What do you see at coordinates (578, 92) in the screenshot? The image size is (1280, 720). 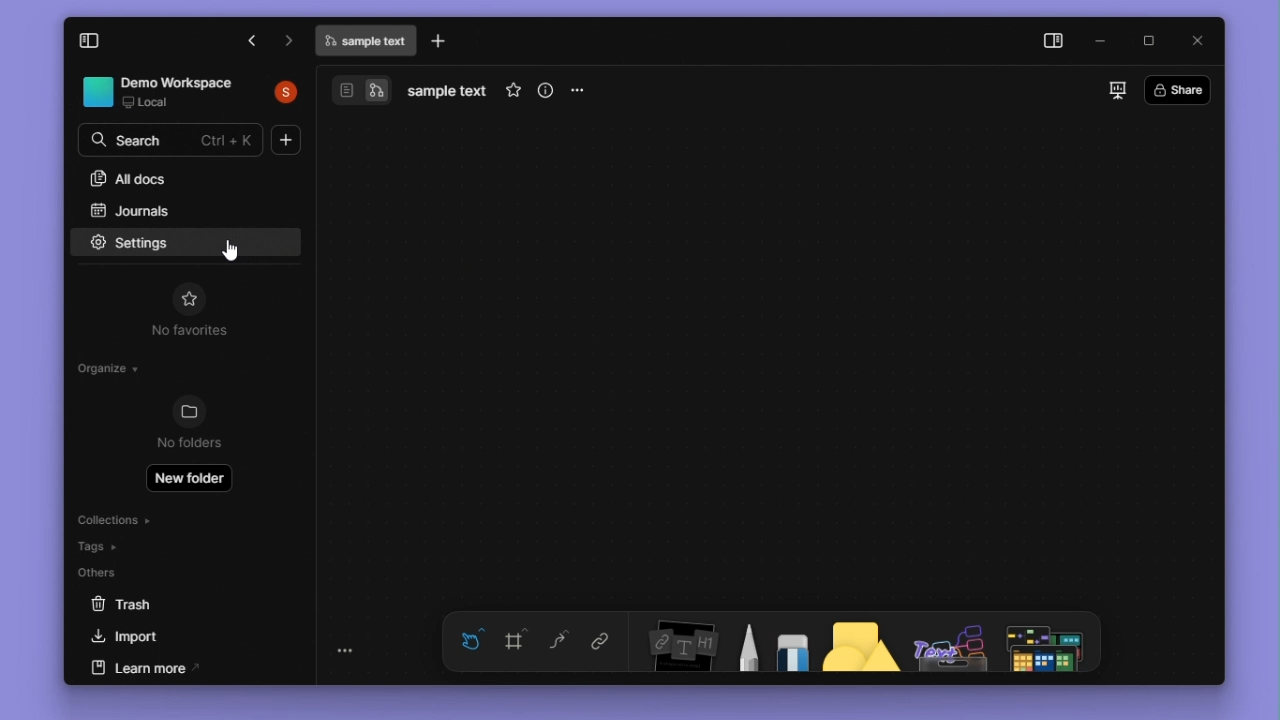 I see `more options` at bounding box center [578, 92].